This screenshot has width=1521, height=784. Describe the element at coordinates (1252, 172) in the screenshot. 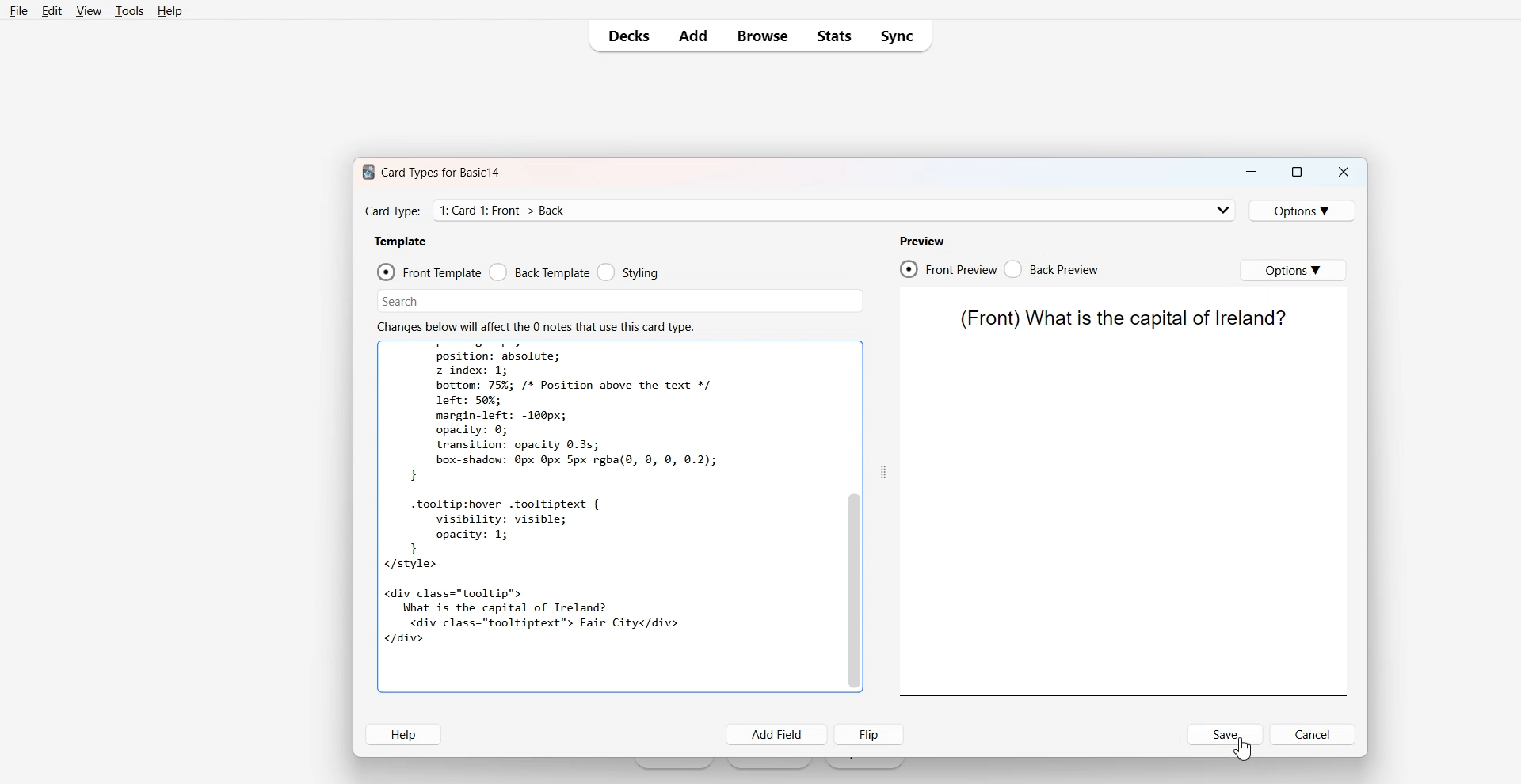

I see `Minimize` at that location.